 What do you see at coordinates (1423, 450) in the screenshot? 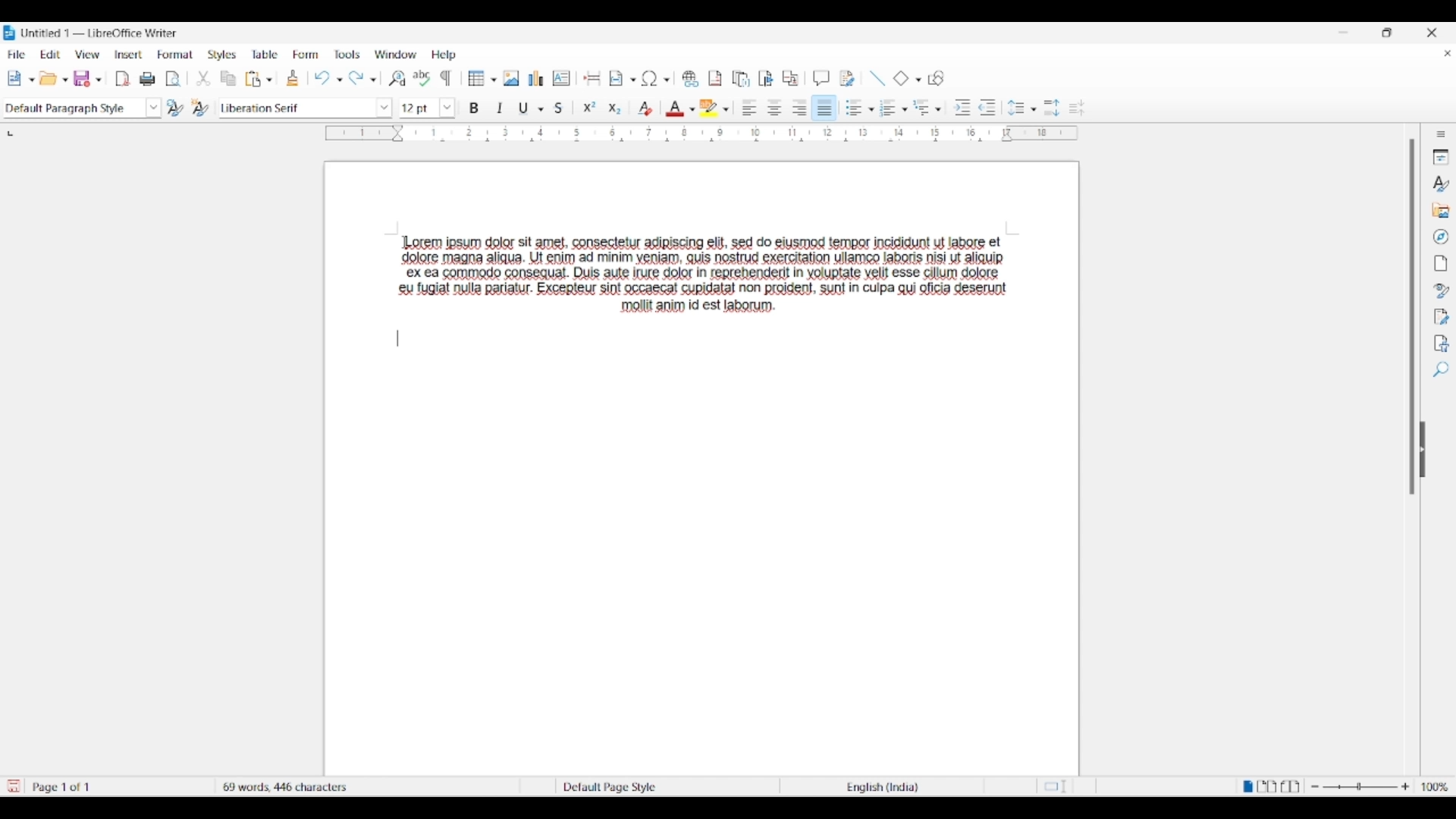
I see `Hide right sidebar` at bounding box center [1423, 450].